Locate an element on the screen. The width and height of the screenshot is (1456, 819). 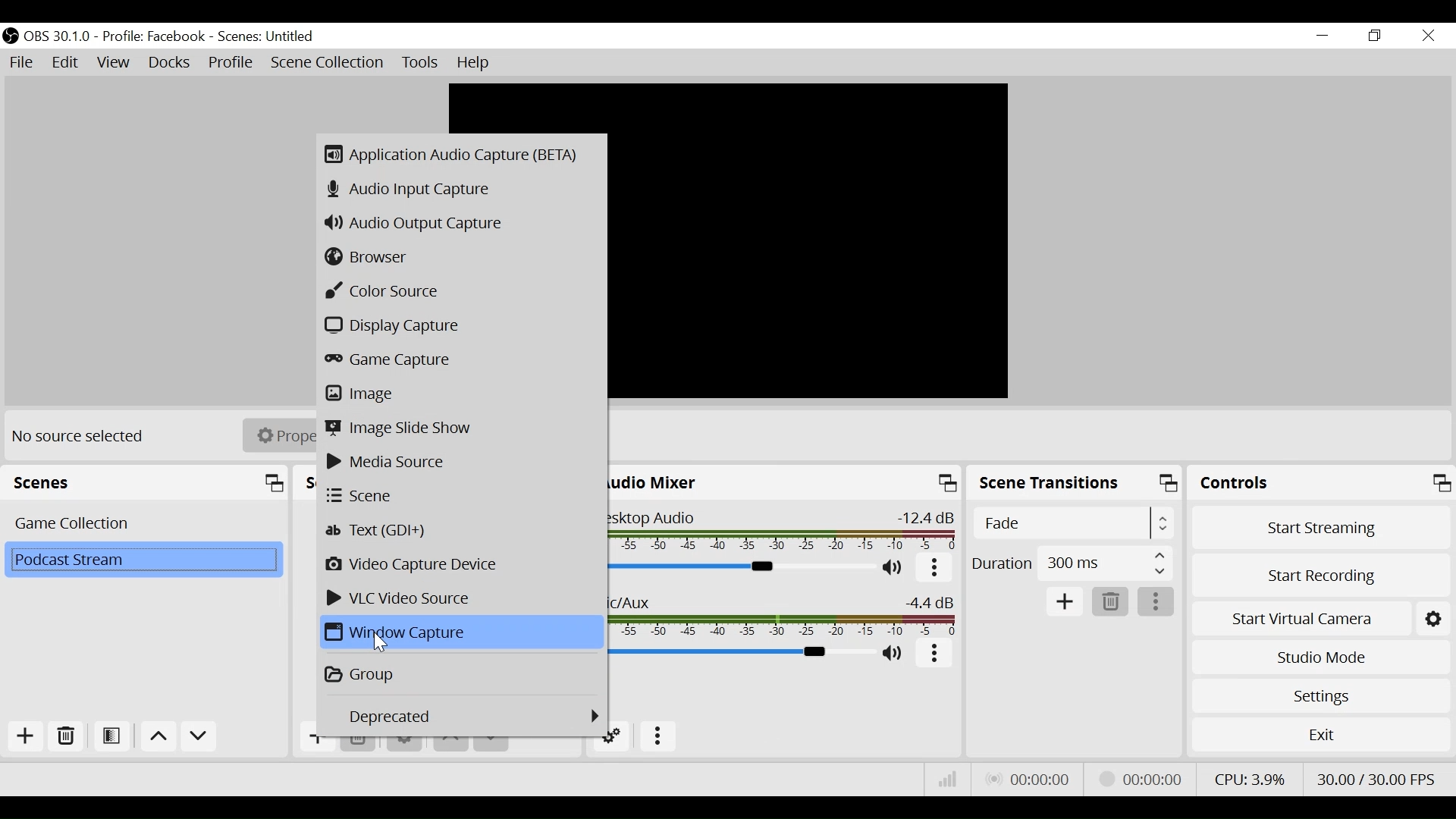
Scene is located at coordinates (143, 524).